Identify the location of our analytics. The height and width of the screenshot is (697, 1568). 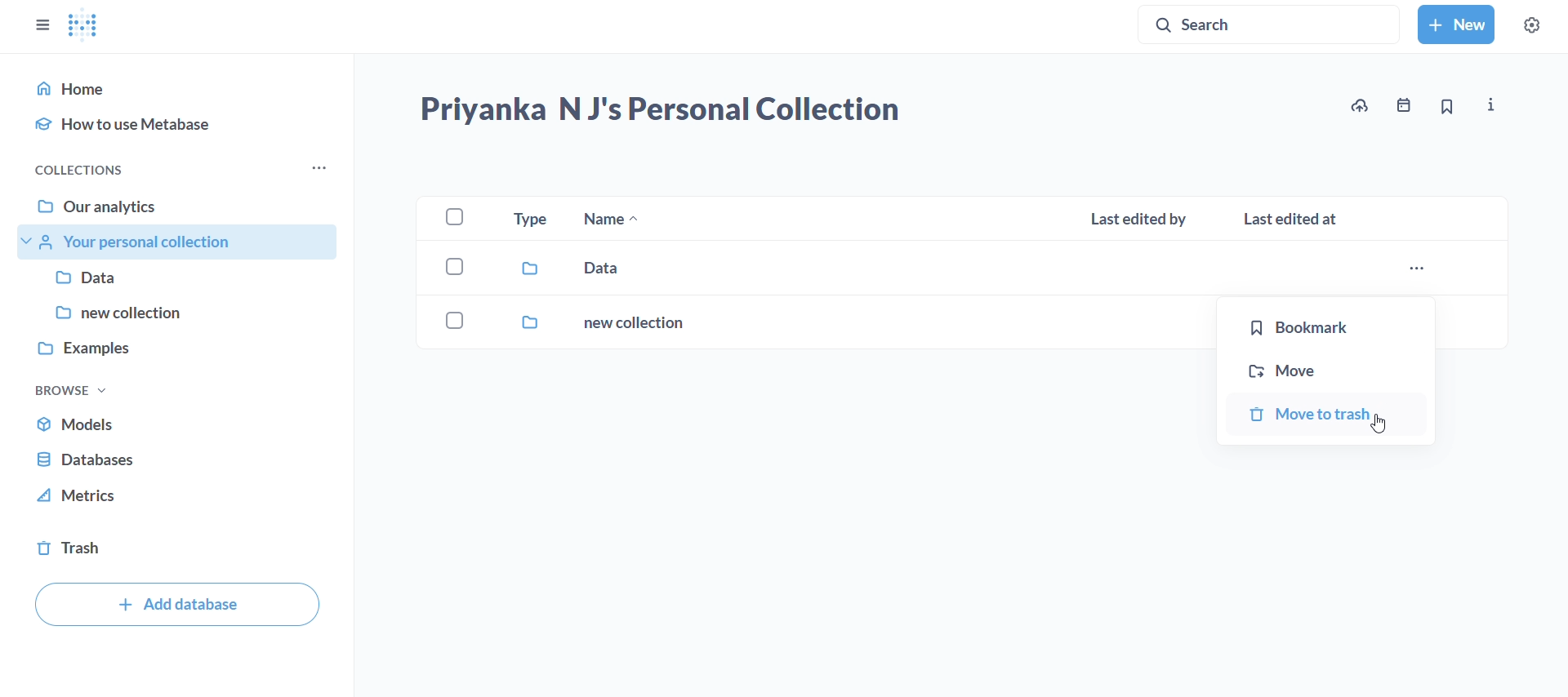
(183, 210).